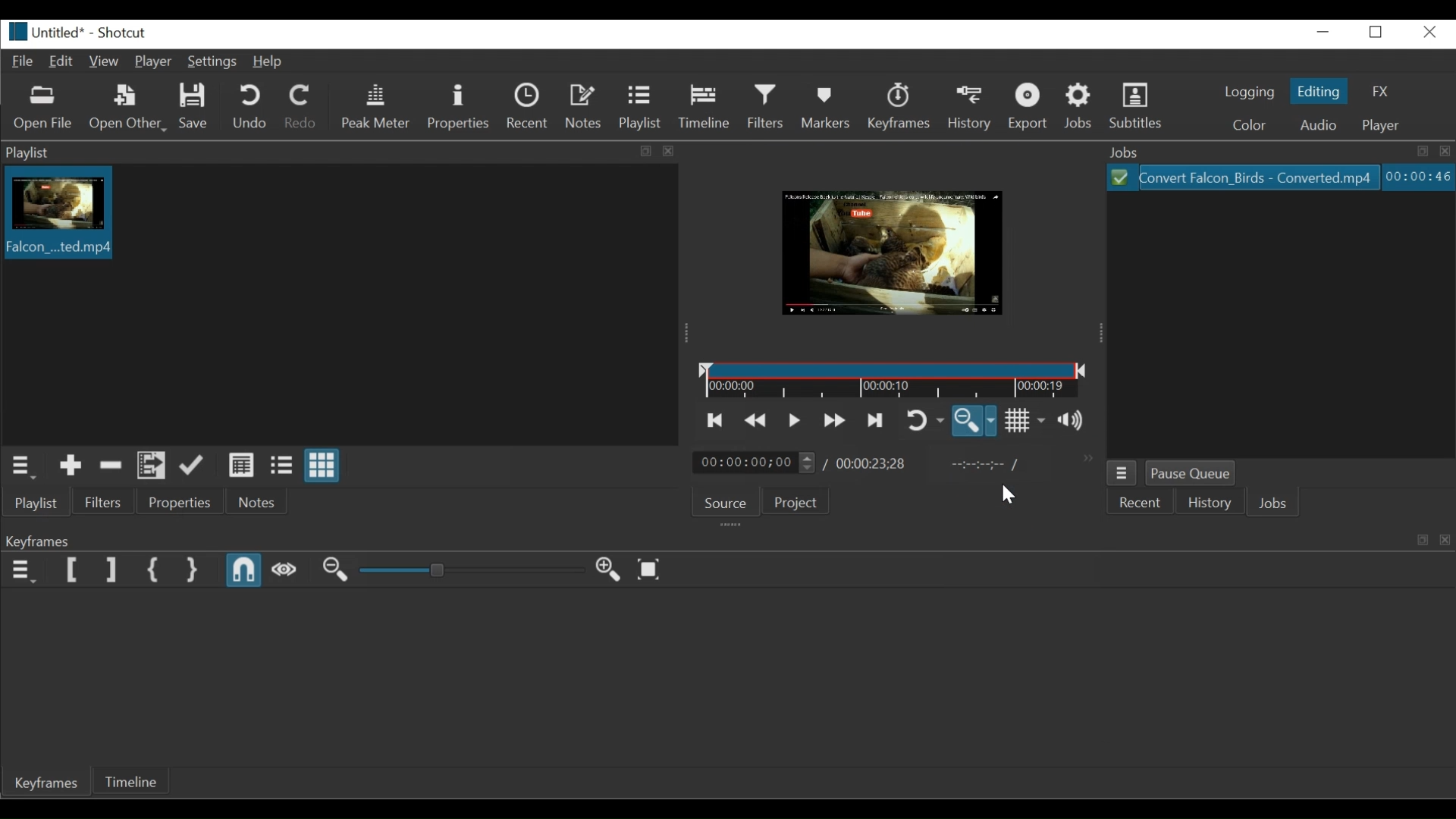  What do you see at coordinates (1079, 419) in the screenshot?
I see `Show the volume control` at bounding box center [1079, 419].